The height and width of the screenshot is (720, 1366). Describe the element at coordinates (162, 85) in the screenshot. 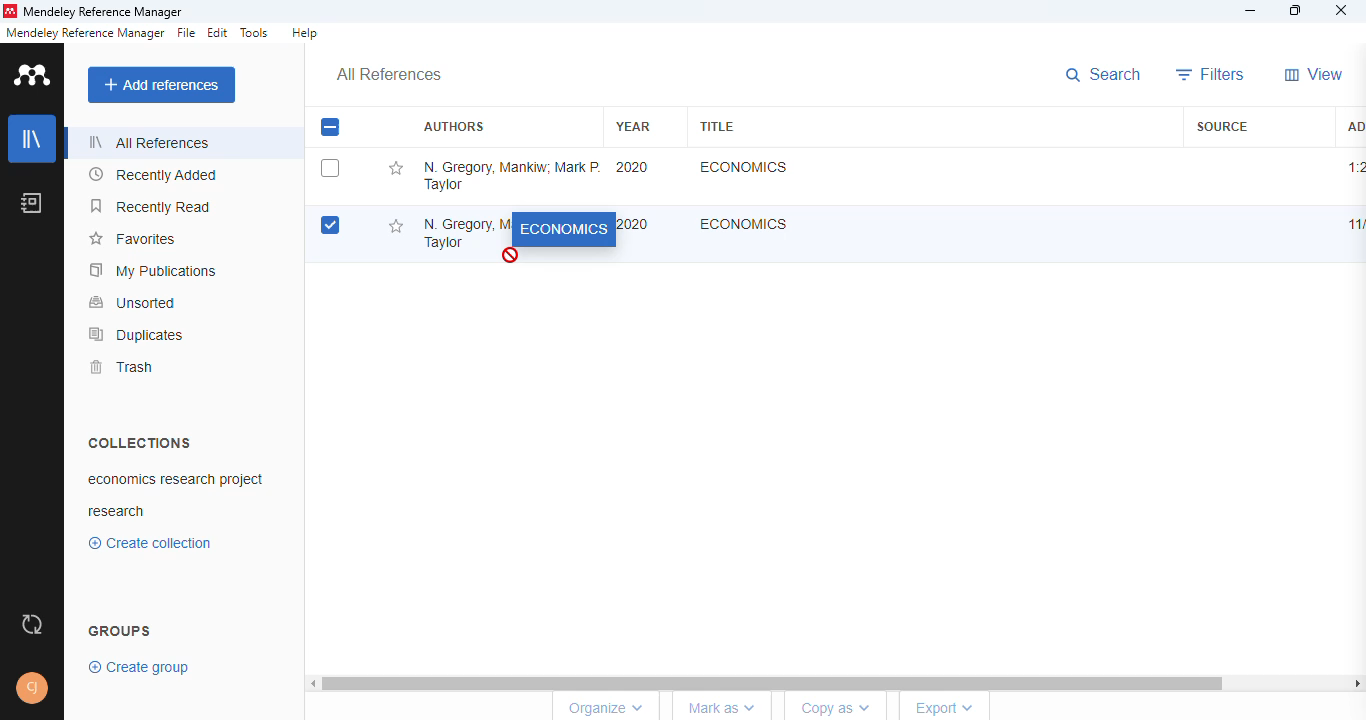

I see `add references` at that location.